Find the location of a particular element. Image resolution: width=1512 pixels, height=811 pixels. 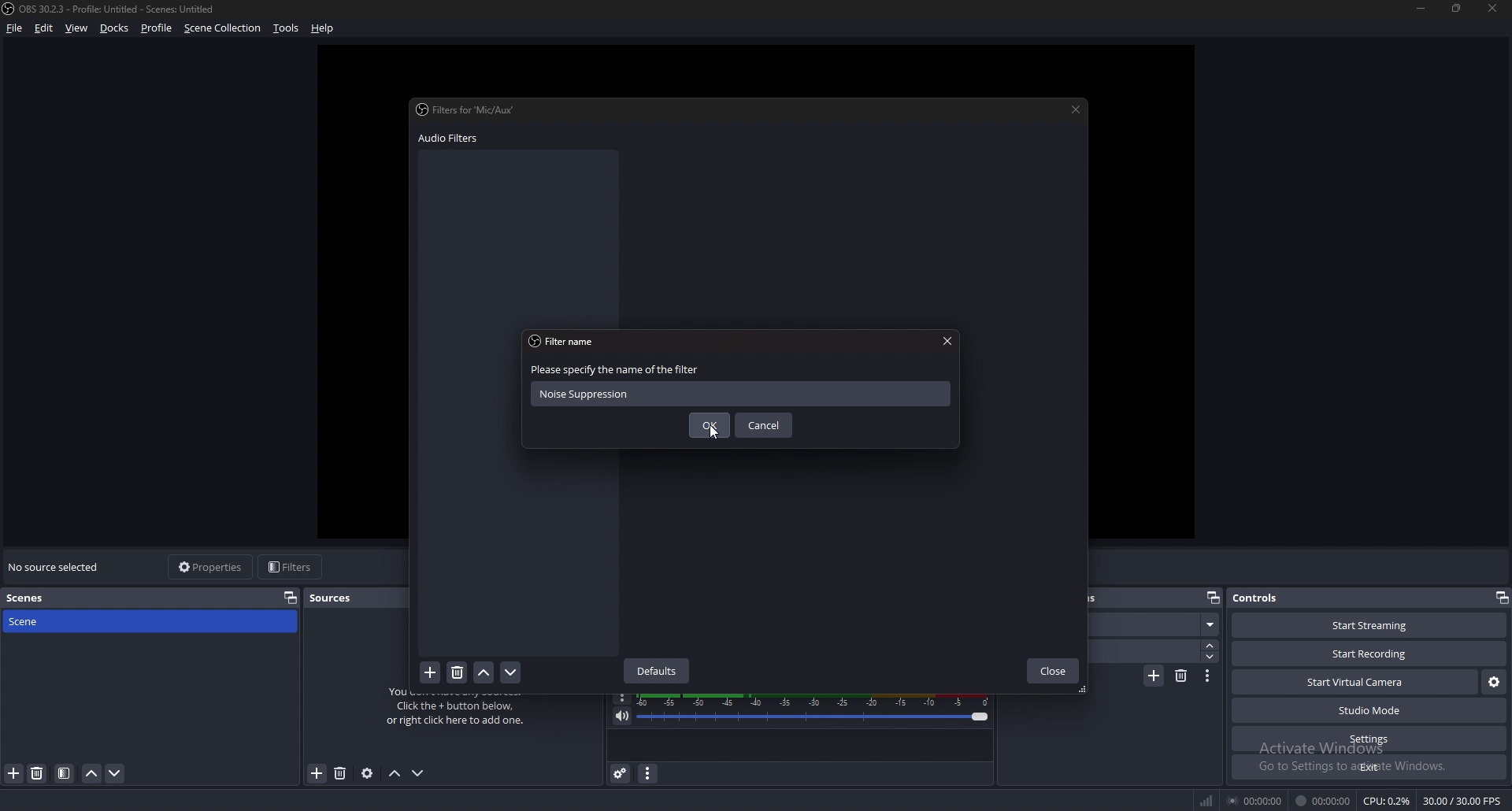

properties is located at coordinates (215, 568).